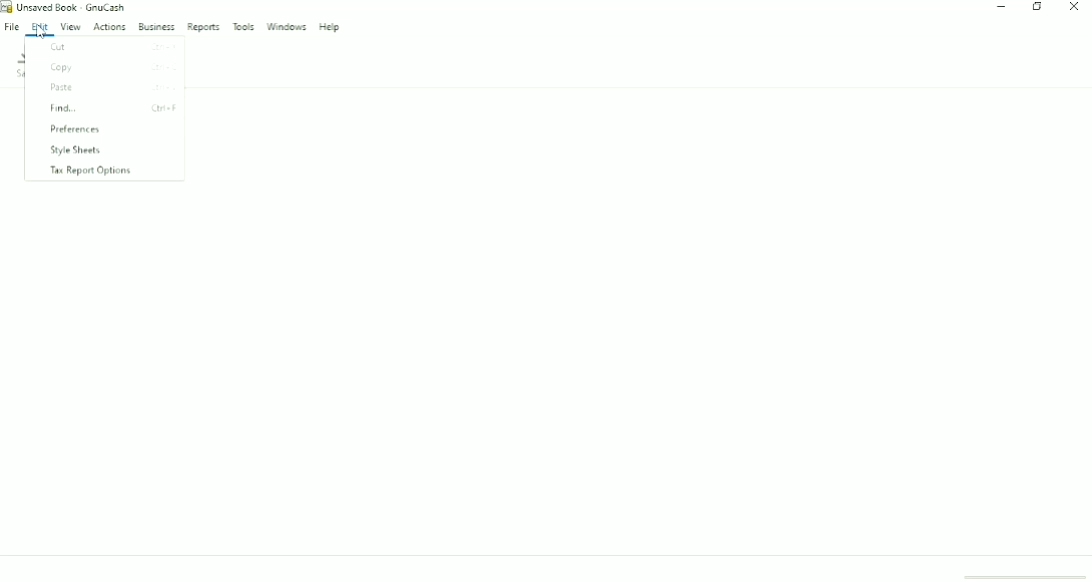 This screenshot has width=1092, height=582. Describe the element at coordinates (157, 27) in the screenshot. I see `Business` at that location.